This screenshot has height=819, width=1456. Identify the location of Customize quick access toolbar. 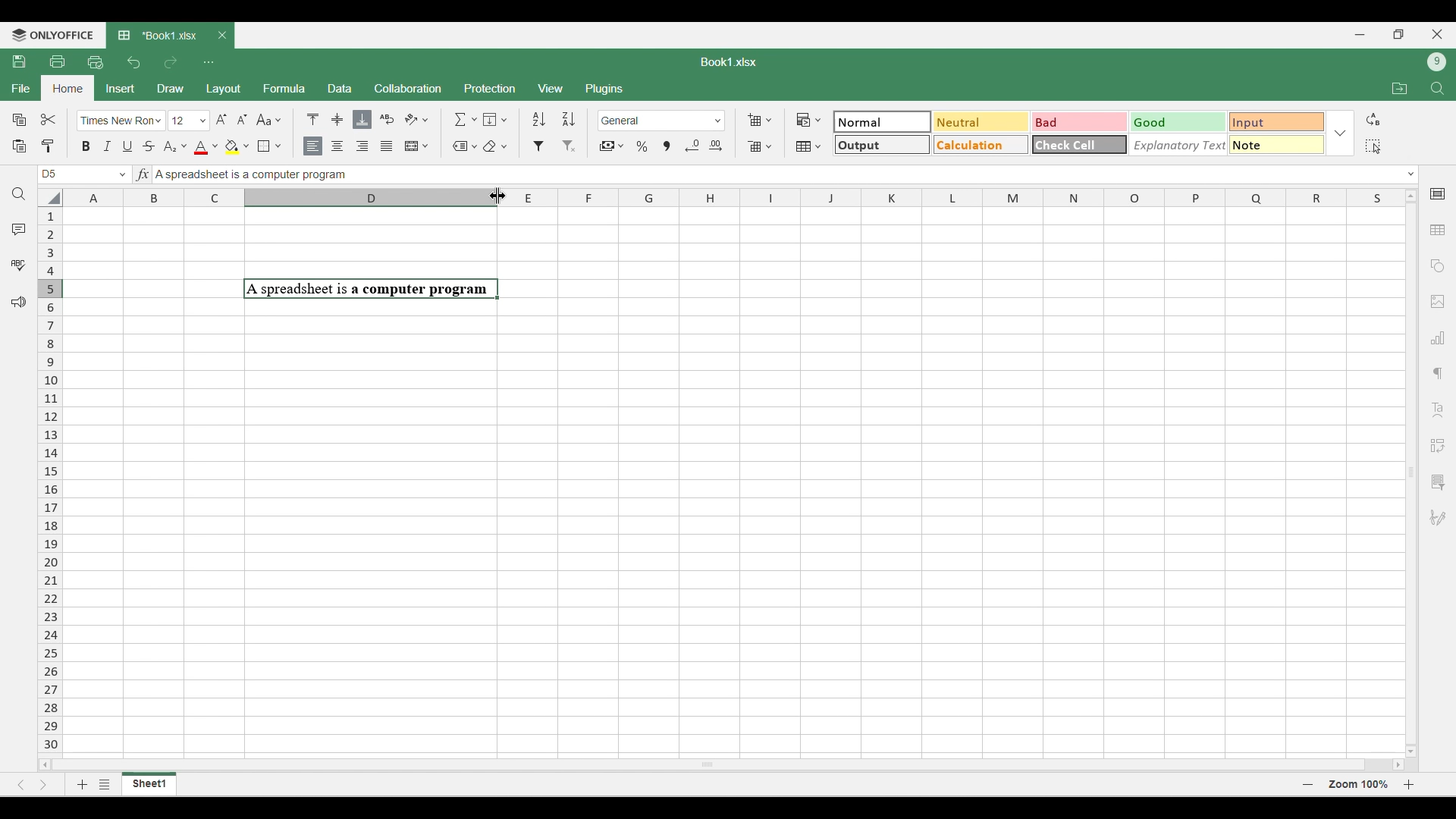
(209, 62).